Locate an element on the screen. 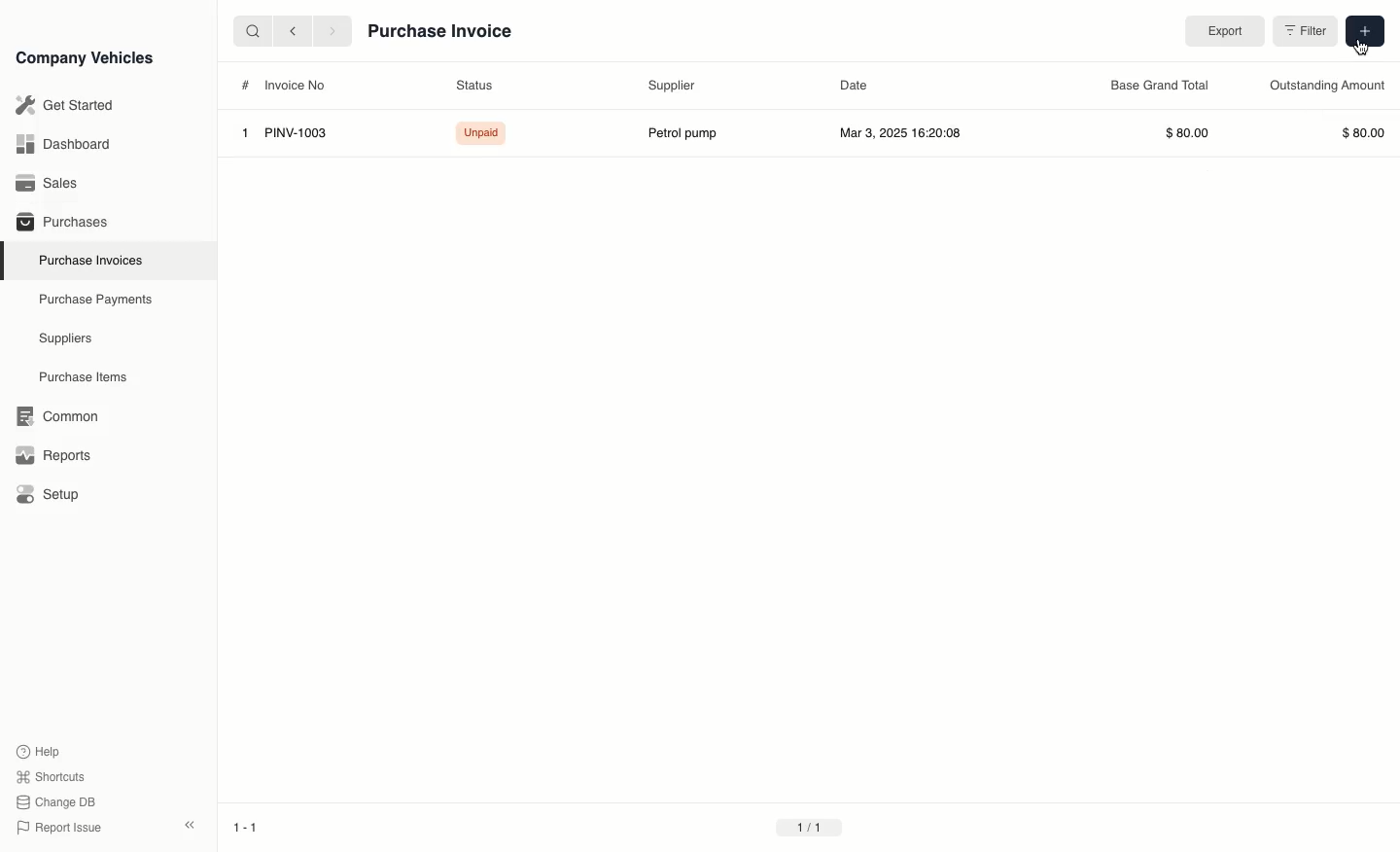  Common is located at coordinates (52, 416).